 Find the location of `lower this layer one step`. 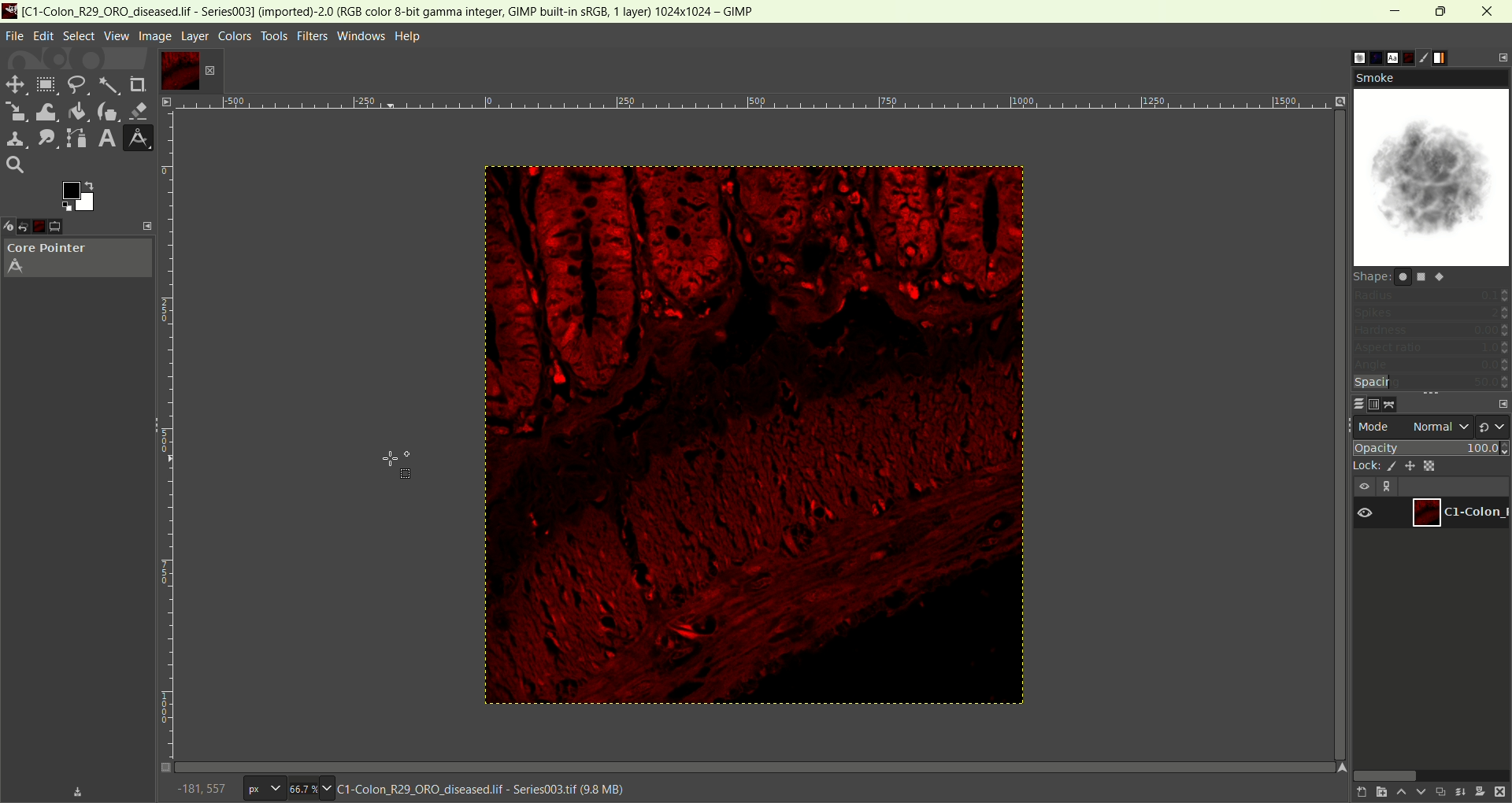

lower this layer one step is located at coordinates (1421, 793).